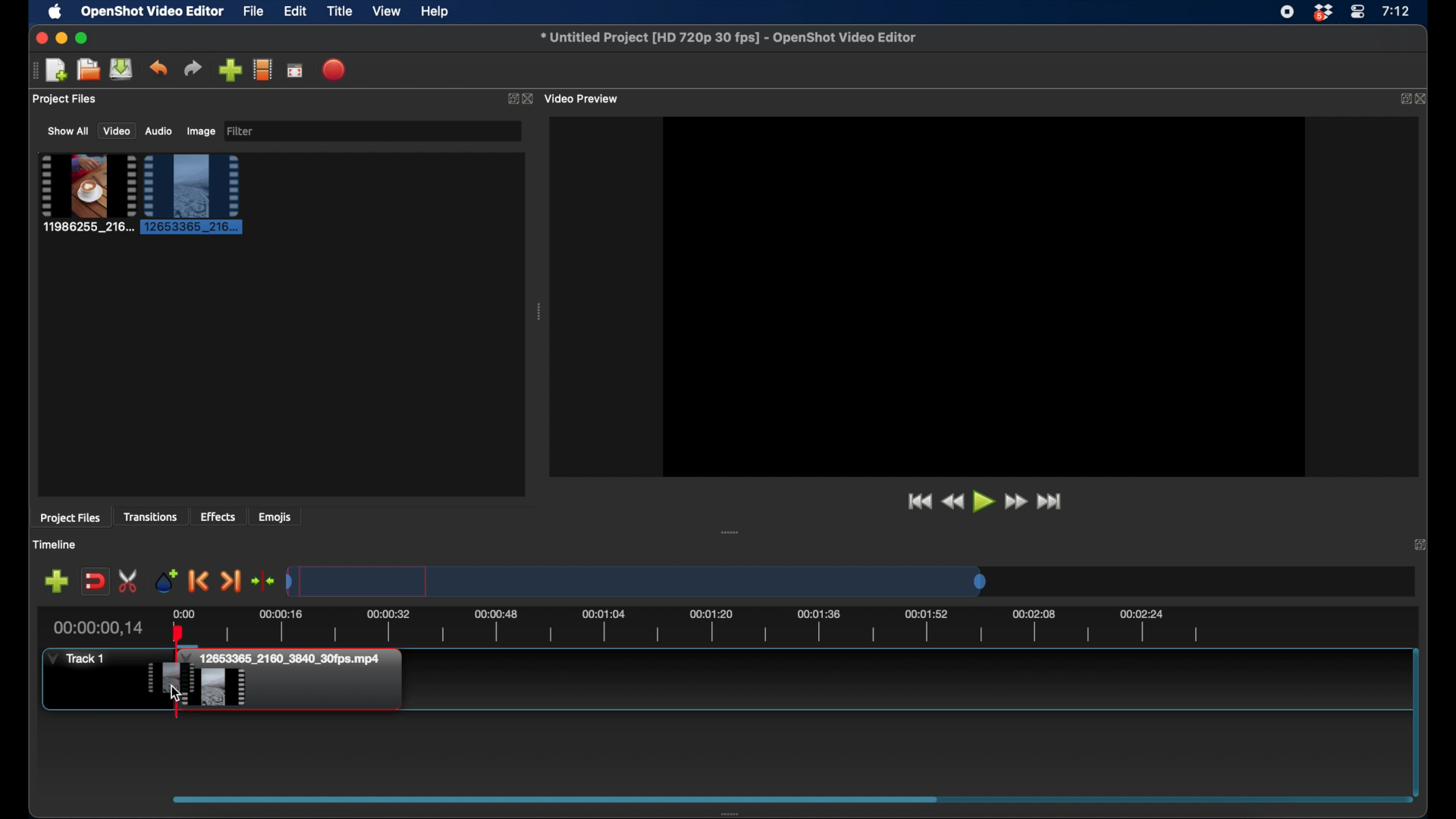 This screenshot has width=1456, height=819. I want to click on import files, so click(231, 70).